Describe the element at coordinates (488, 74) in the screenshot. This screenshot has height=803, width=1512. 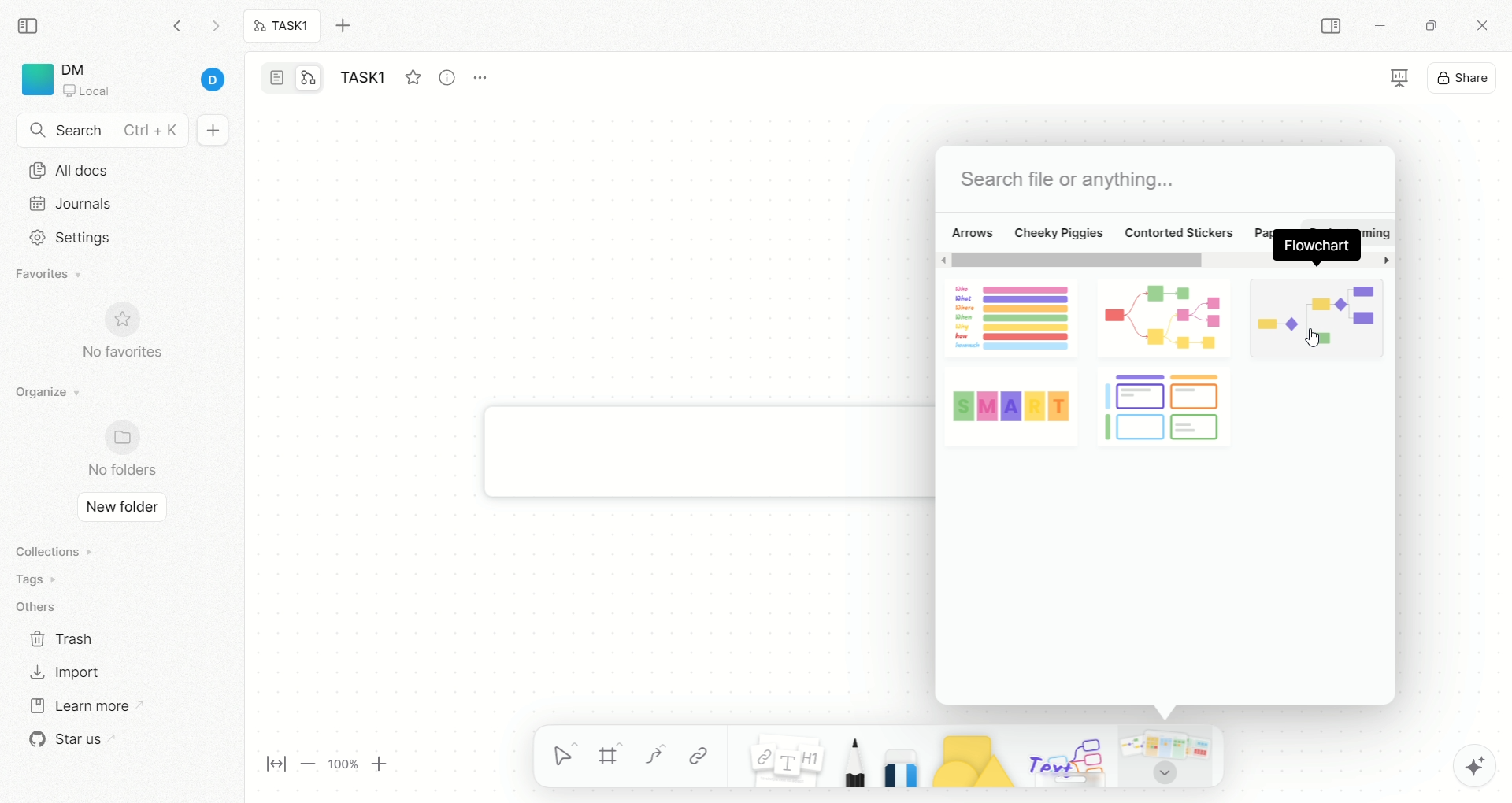
I see `options` at that location.